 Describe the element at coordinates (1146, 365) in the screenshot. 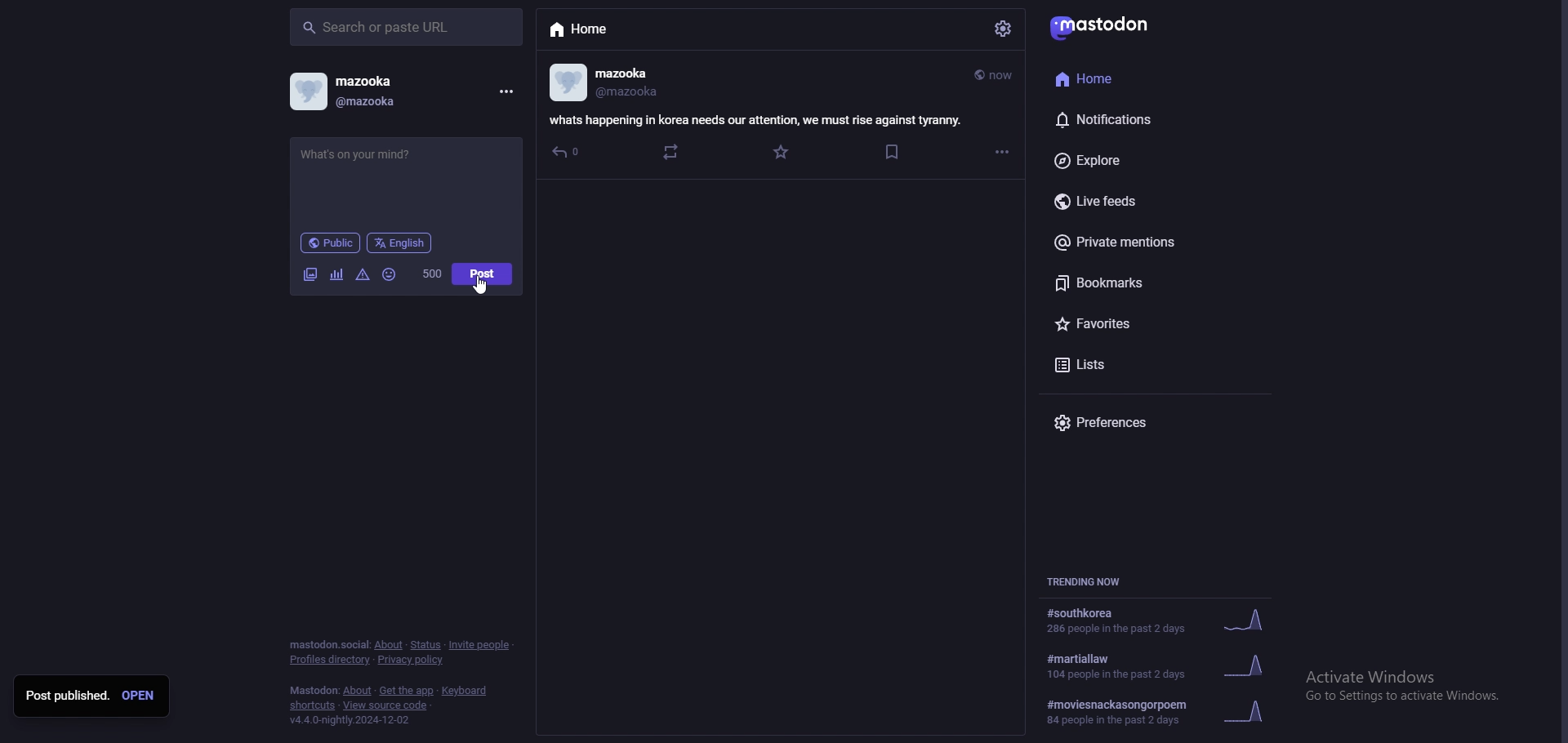

I see `lists` at that location.